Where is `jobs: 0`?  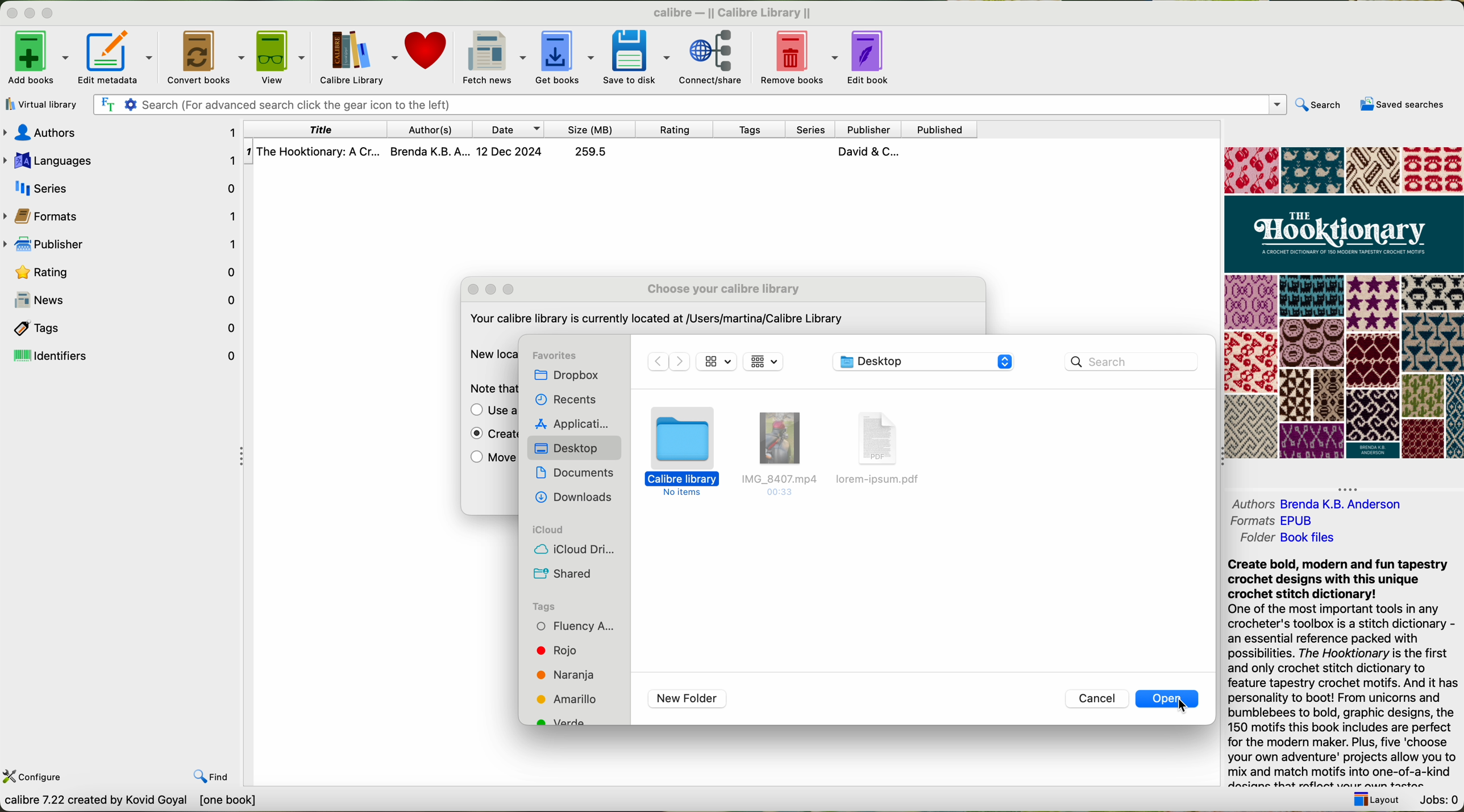 jobs: 0 is located at coordinates (1441, 801).